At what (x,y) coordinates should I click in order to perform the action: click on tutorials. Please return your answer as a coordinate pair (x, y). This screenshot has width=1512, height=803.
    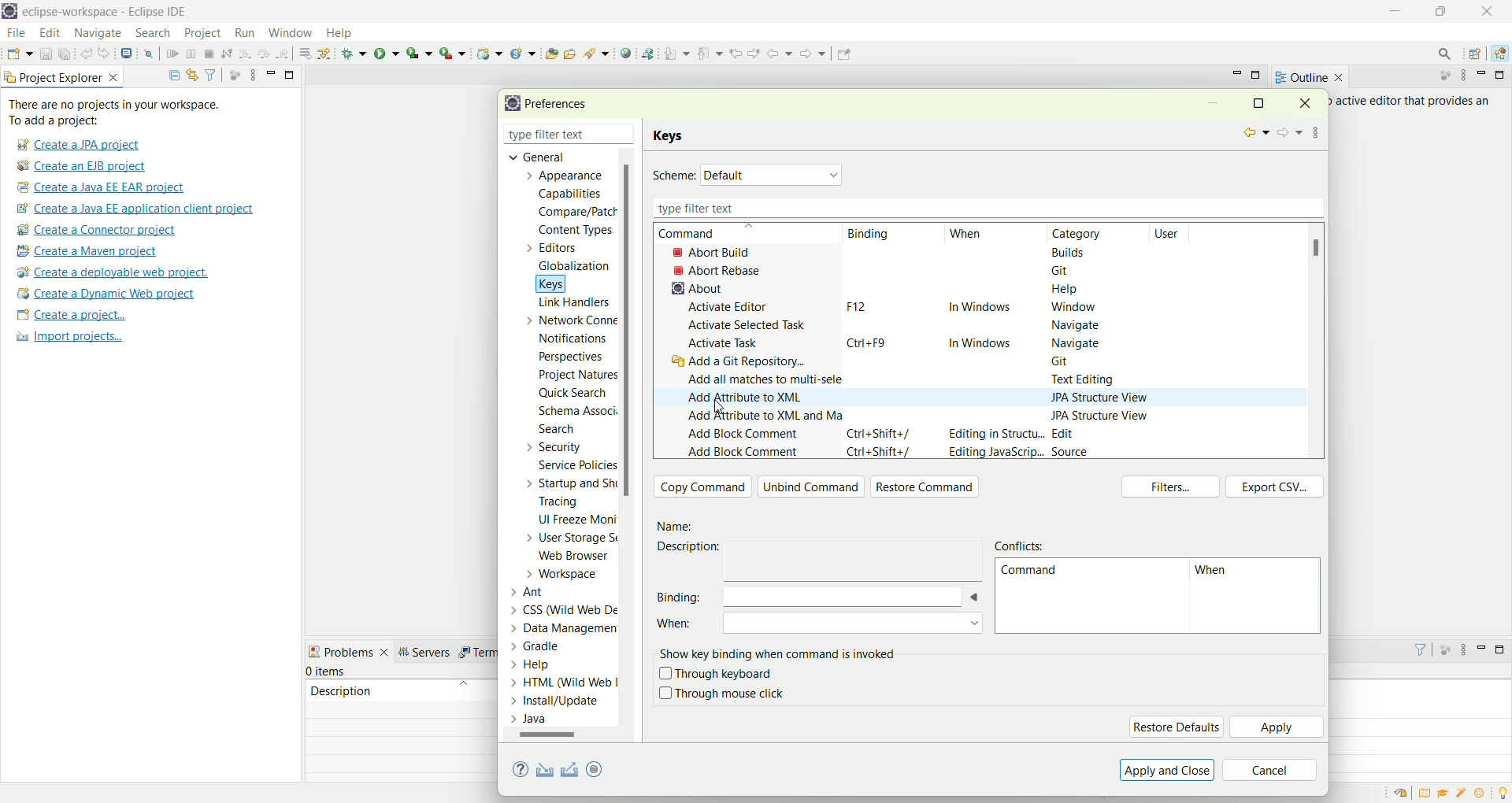
    Looking at the image, I should click on (1443, 794).